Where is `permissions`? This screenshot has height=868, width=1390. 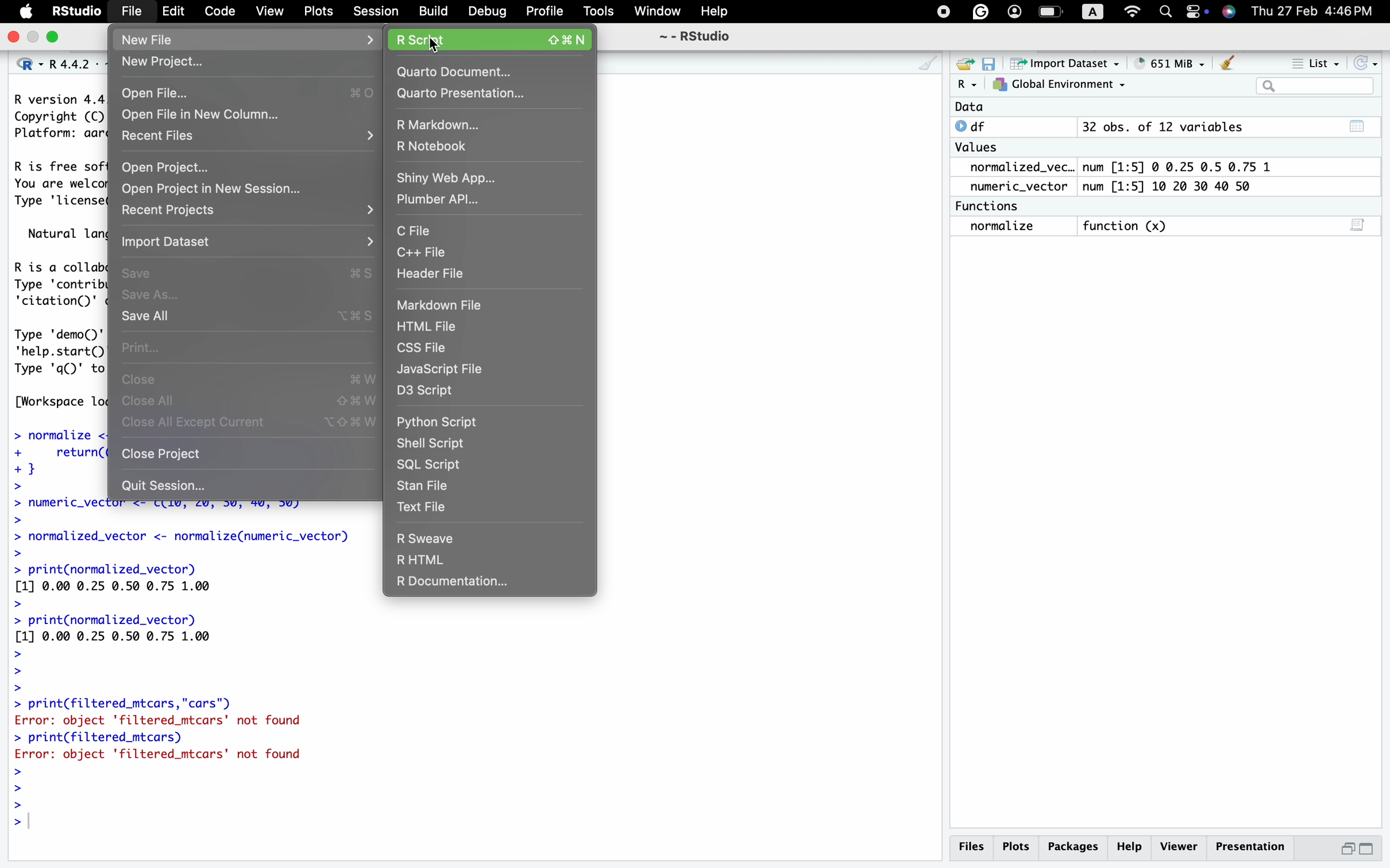
permissions is located at coordinates (1195, 13).